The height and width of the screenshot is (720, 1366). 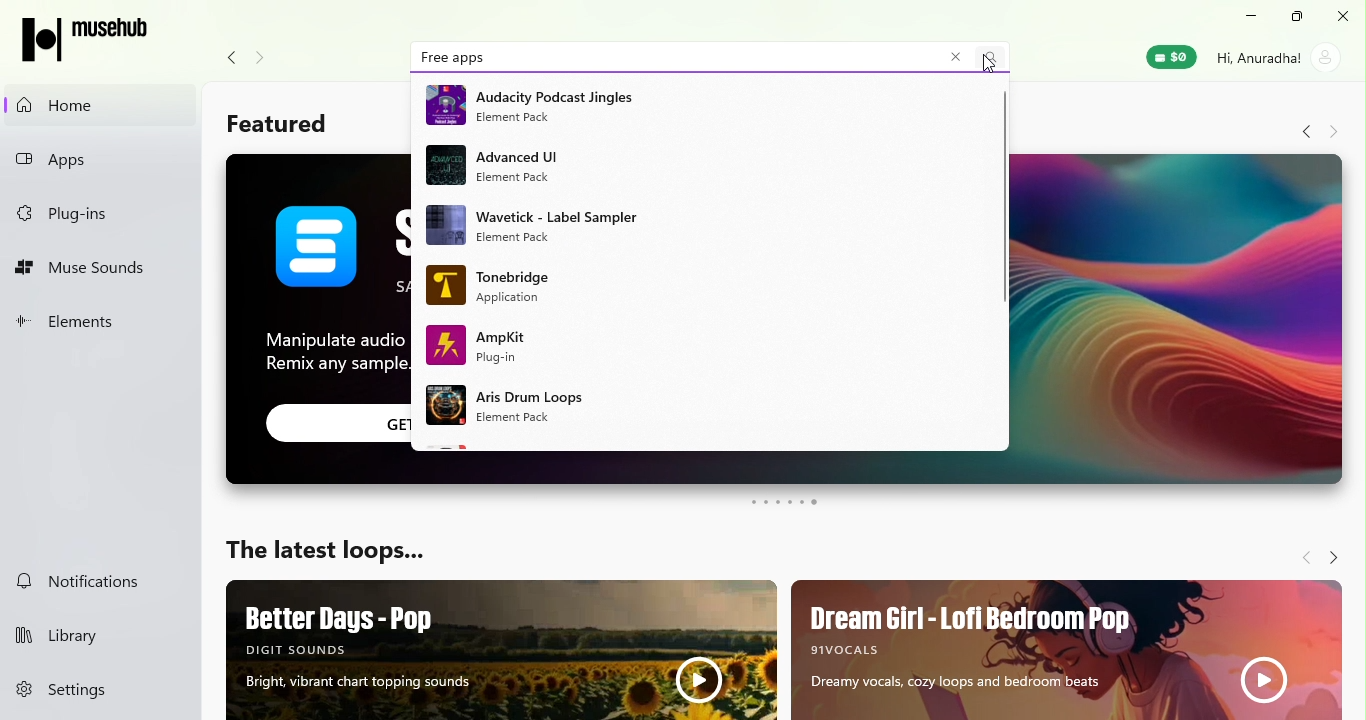 I want to click on Library, so click(x=95, y=637).